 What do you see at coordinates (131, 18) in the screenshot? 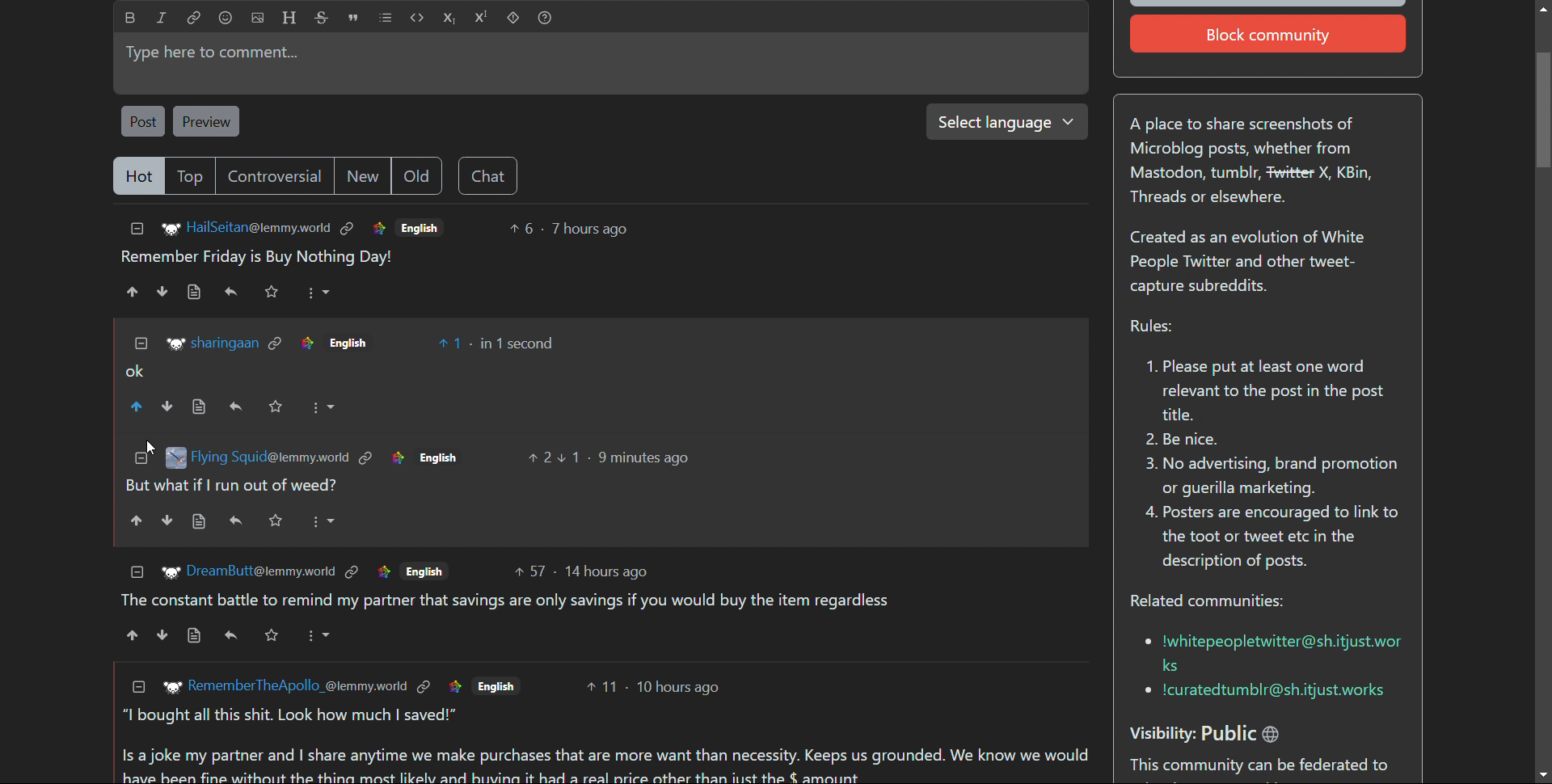
I see `bold` at bounding box center [131, 18].